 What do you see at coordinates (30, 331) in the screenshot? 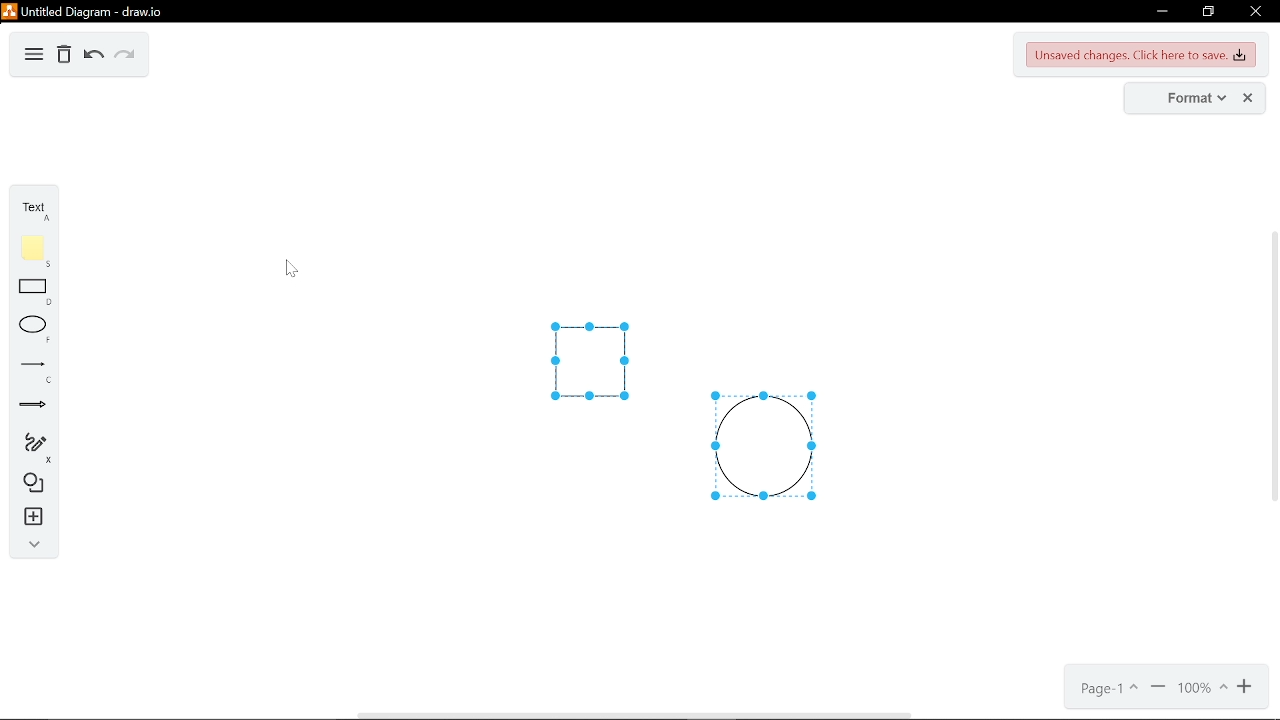
I see `ellipse` at bounding box center [30, 331].